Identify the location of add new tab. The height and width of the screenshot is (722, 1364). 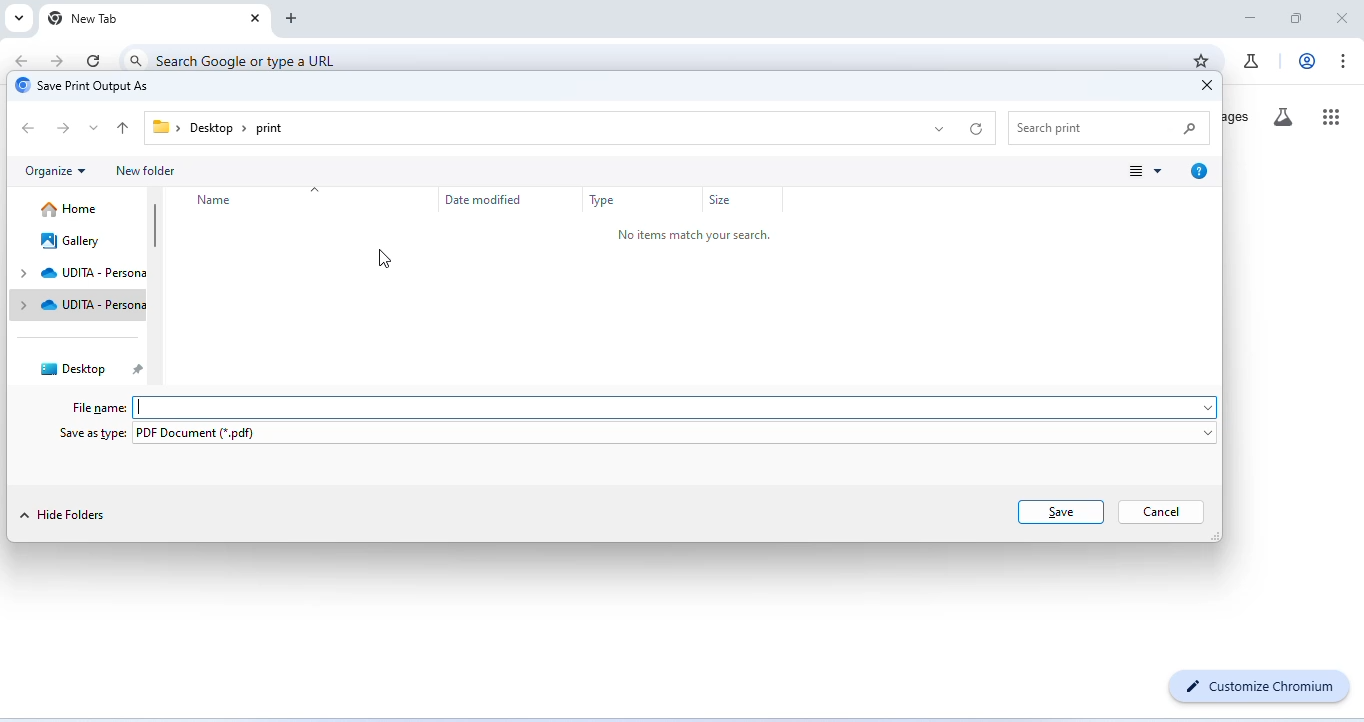
(294, 18).